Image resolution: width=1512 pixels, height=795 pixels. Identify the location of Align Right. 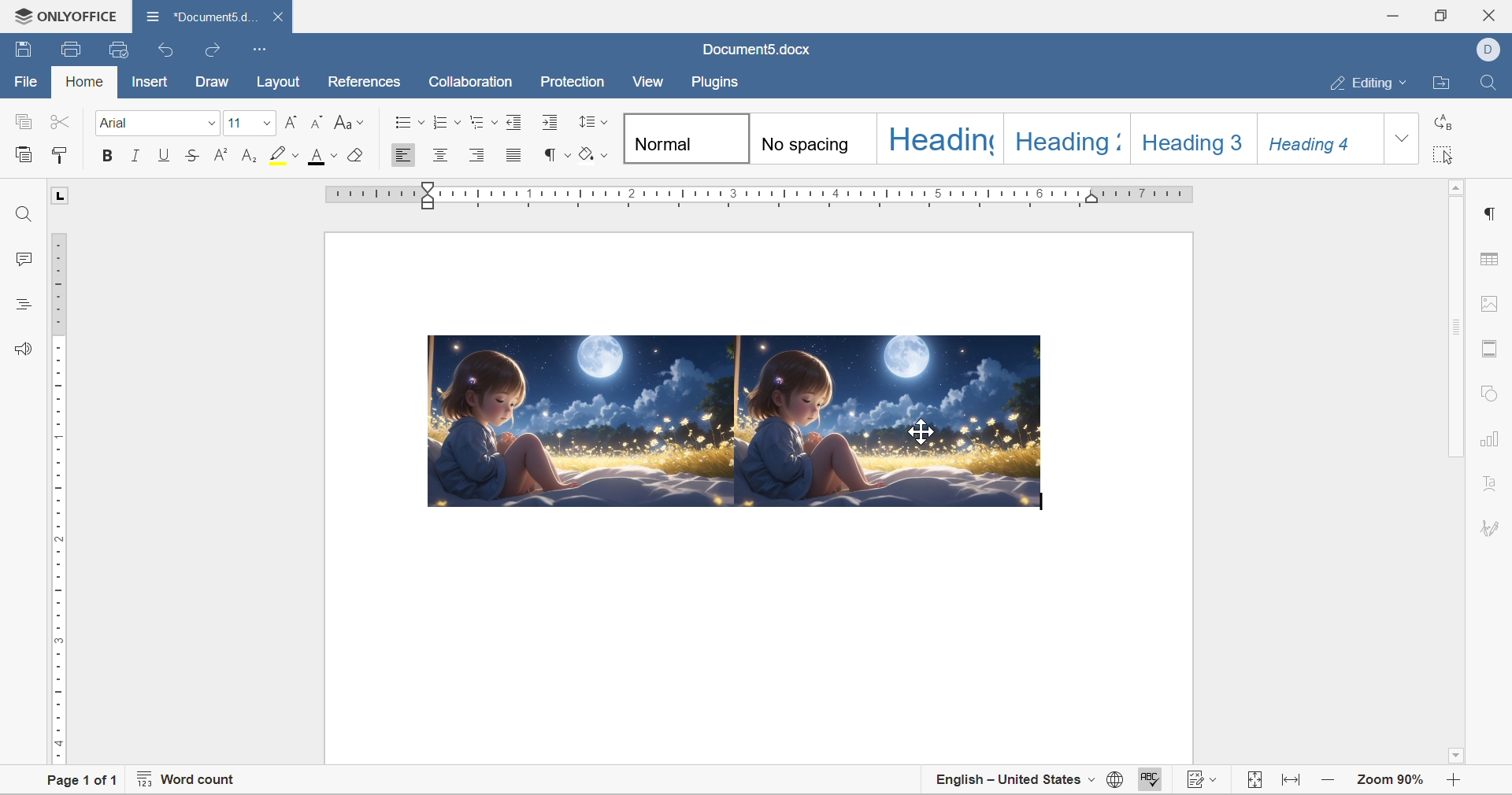
(482, 155).